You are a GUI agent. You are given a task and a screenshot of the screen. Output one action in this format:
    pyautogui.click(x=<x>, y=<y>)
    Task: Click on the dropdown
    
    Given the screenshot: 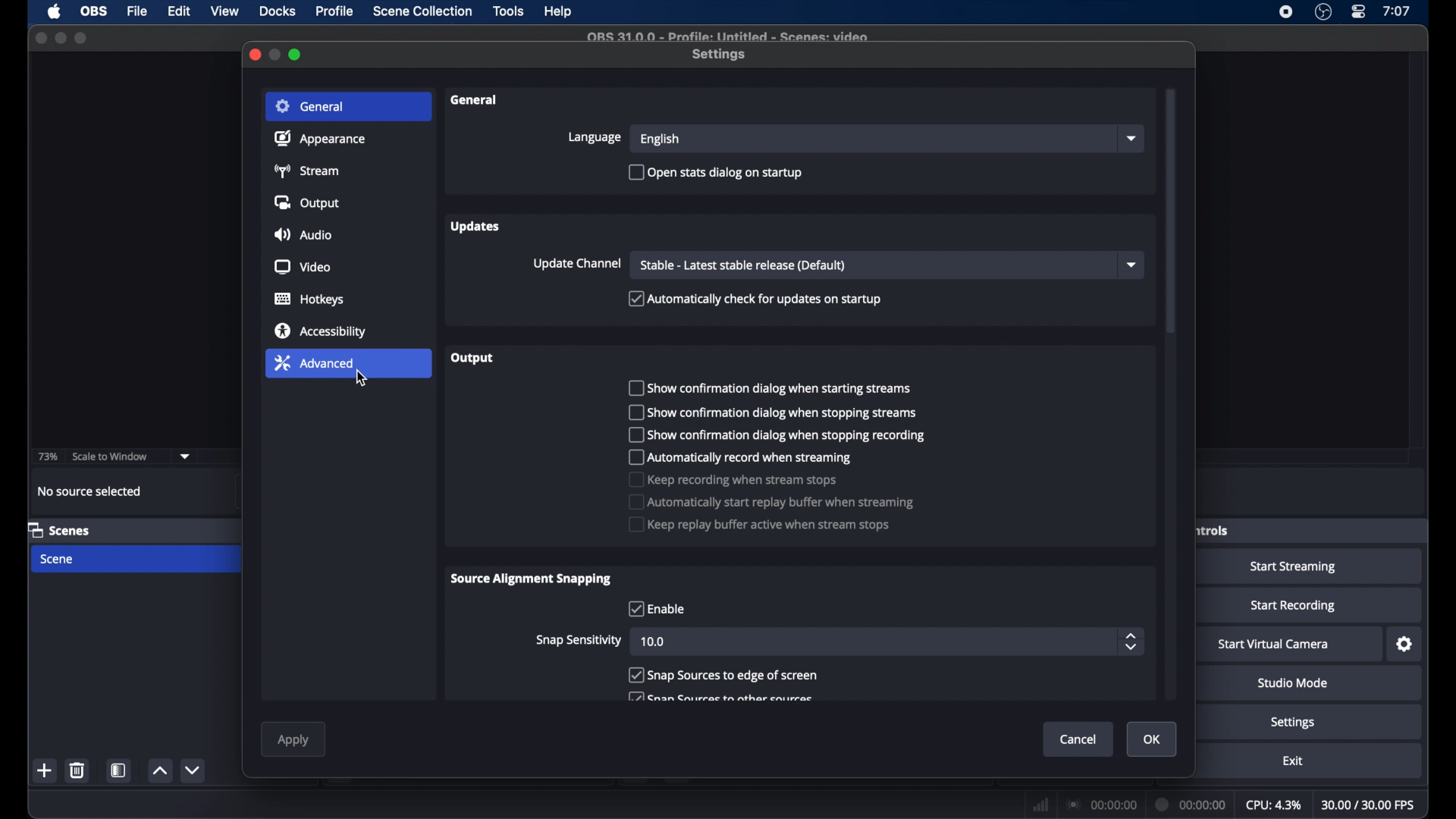 What is the action you would take?
    pyautogui.click(x=1131, y=139)
    